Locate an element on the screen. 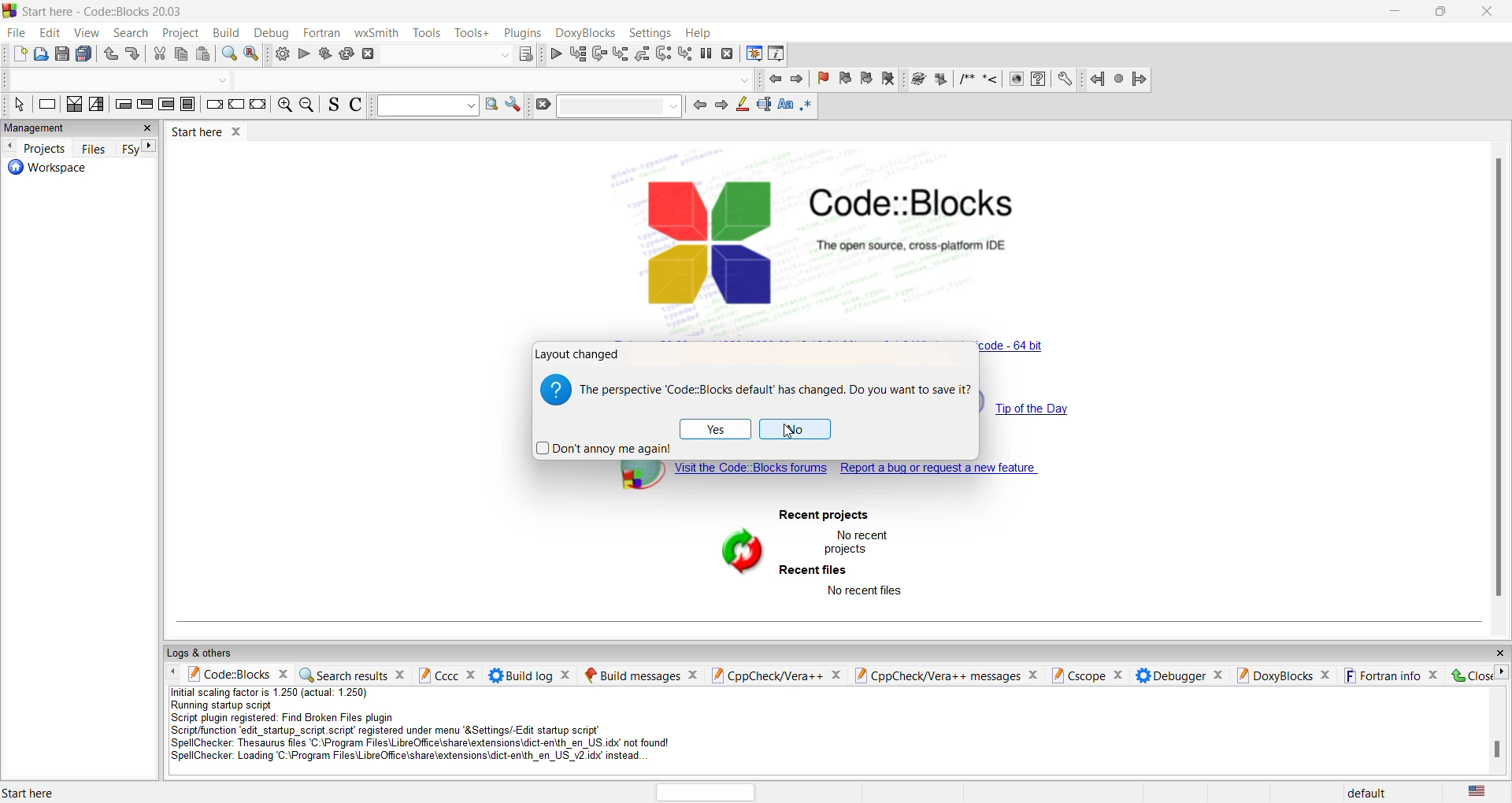 Image resolution: width=1512 pixels, height=803 pixels. counting loop is located at coordinates (169, 105).